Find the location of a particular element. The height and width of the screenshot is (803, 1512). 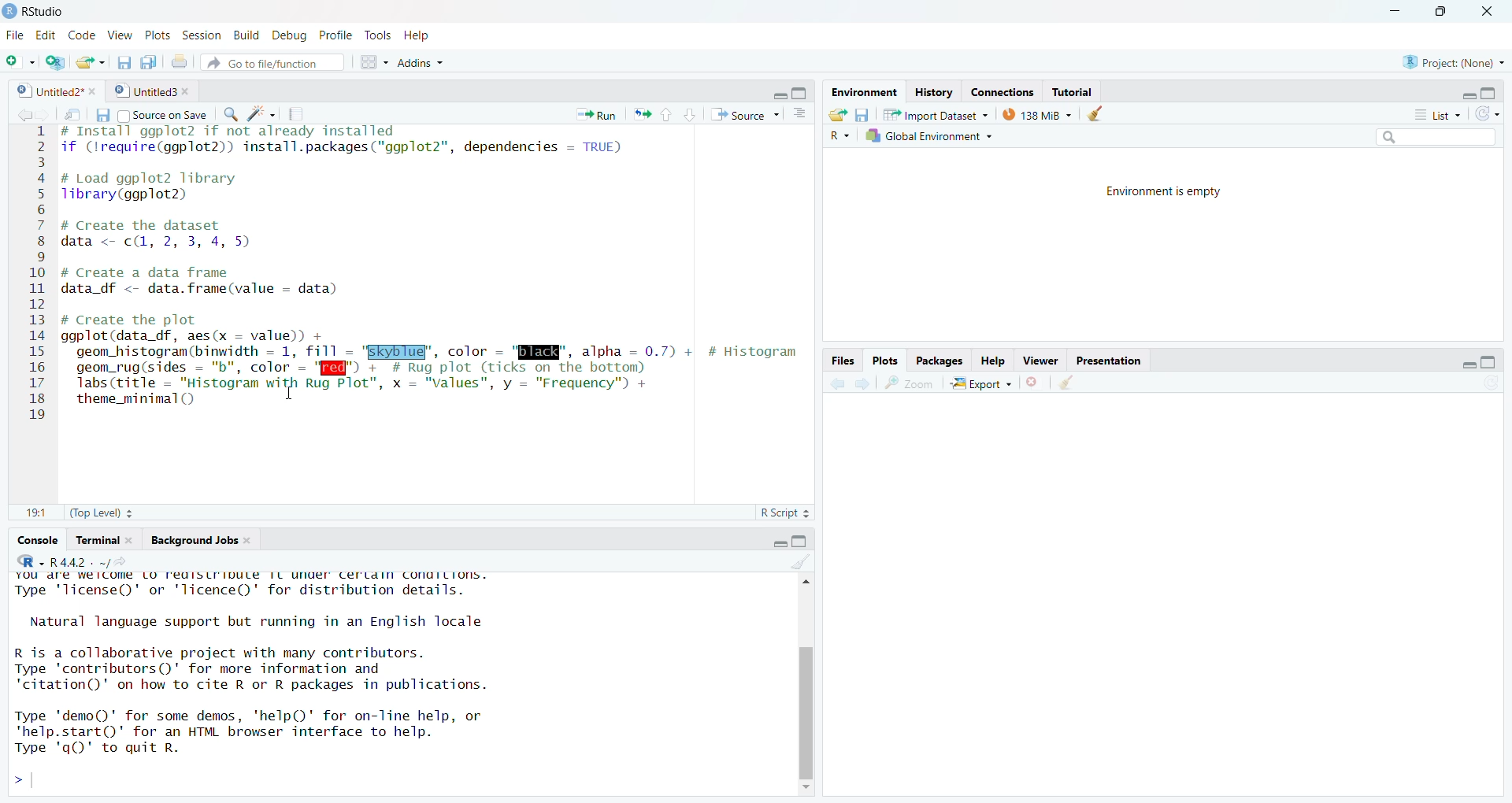

maximize is located at coordinates (1448, 14).